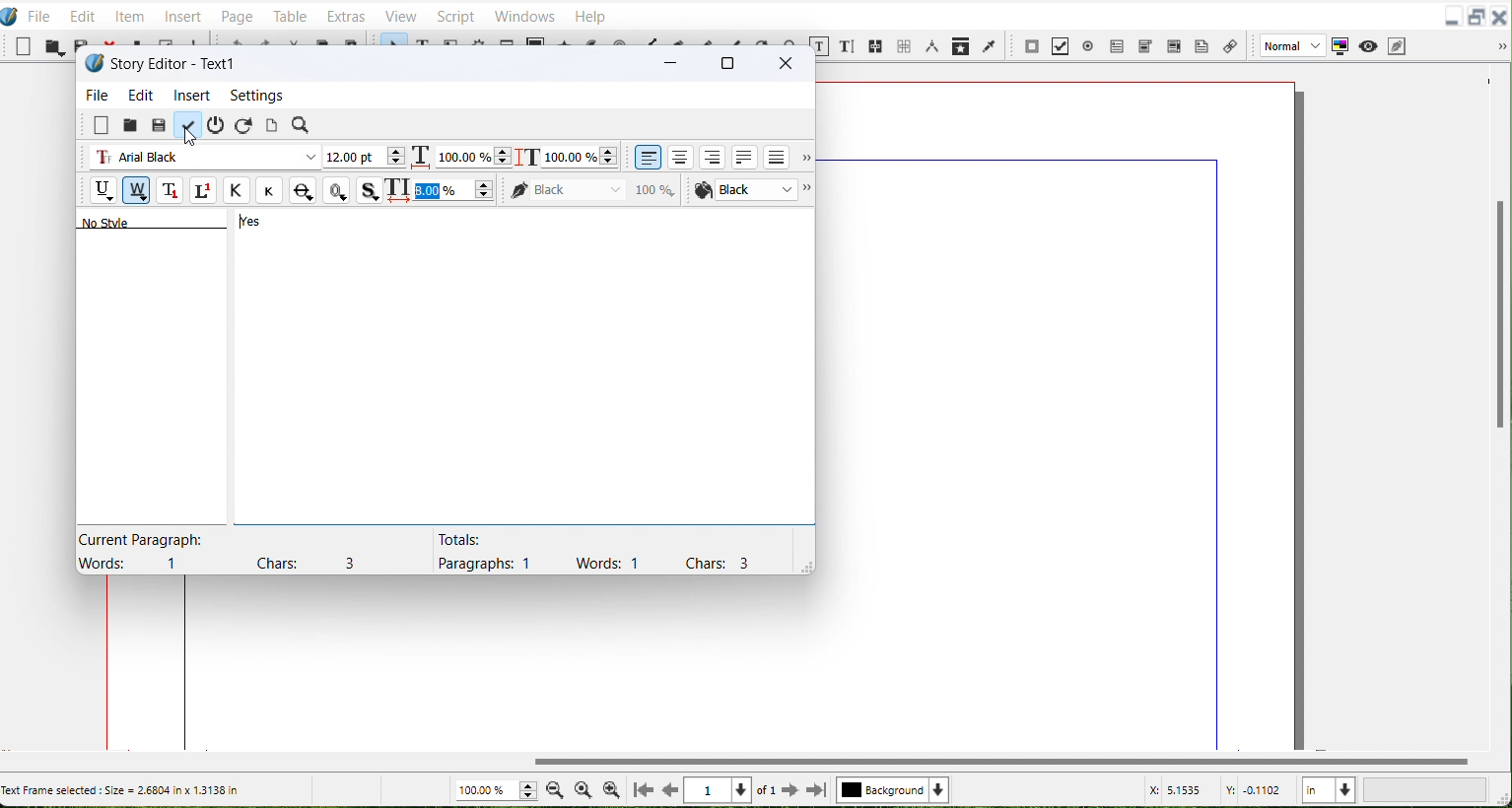 The width and height of the screenshot is (1512, 808). I want to click on Align text left, so click(645, 158).